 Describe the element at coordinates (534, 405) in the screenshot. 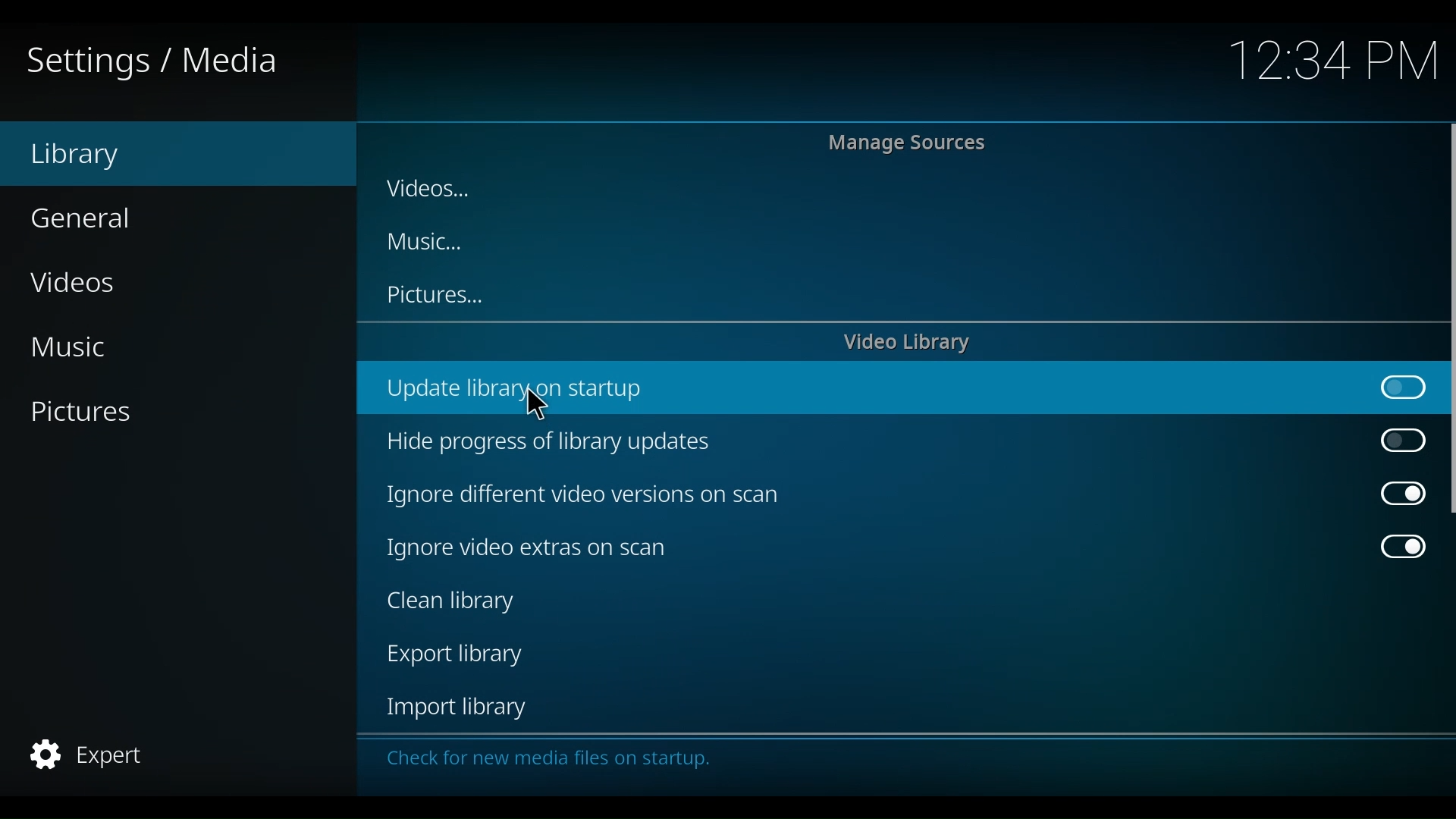

I see `Cursor` at that location.